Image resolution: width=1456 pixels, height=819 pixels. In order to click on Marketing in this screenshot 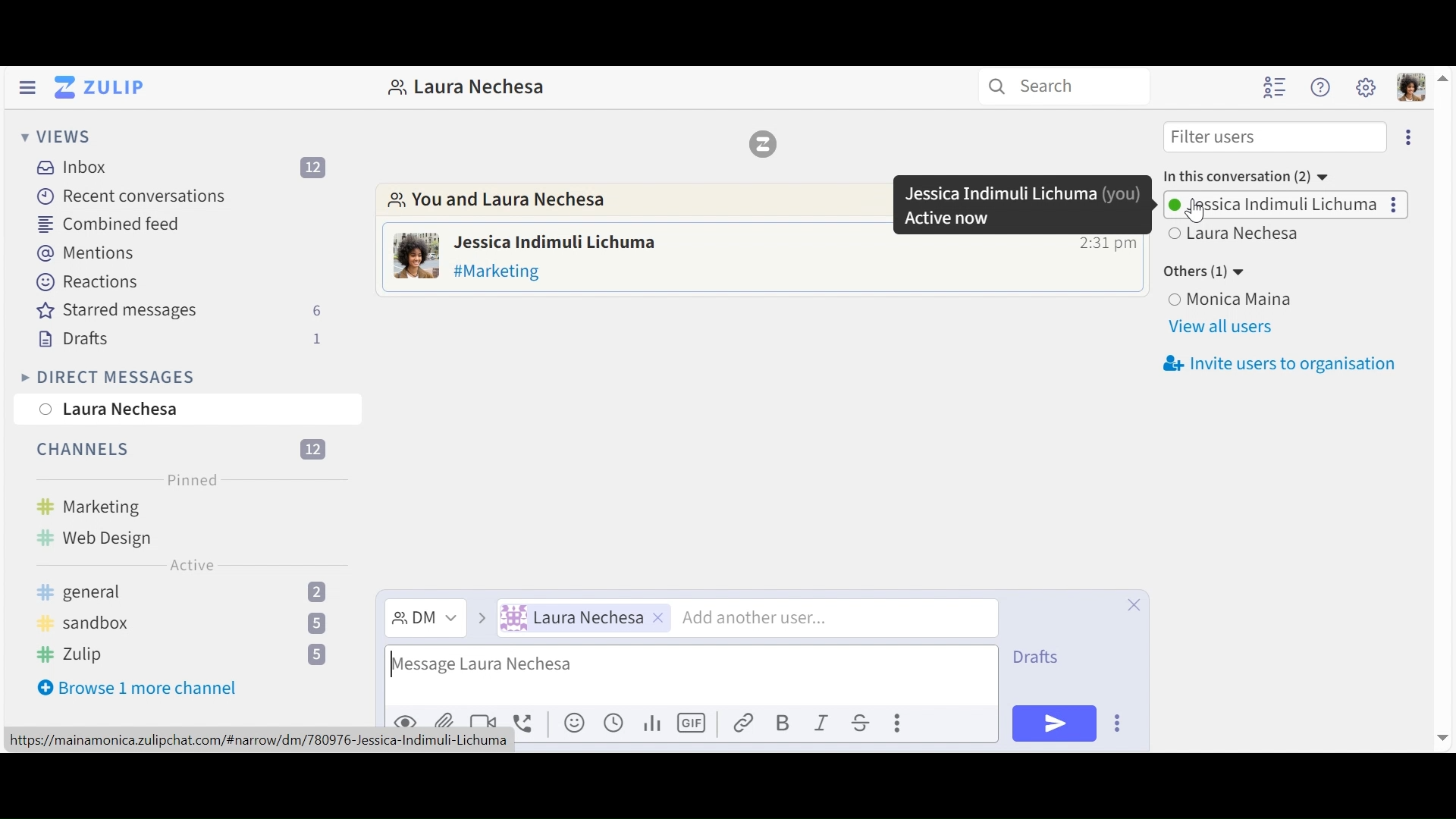, I will do `click(116, 507)`.